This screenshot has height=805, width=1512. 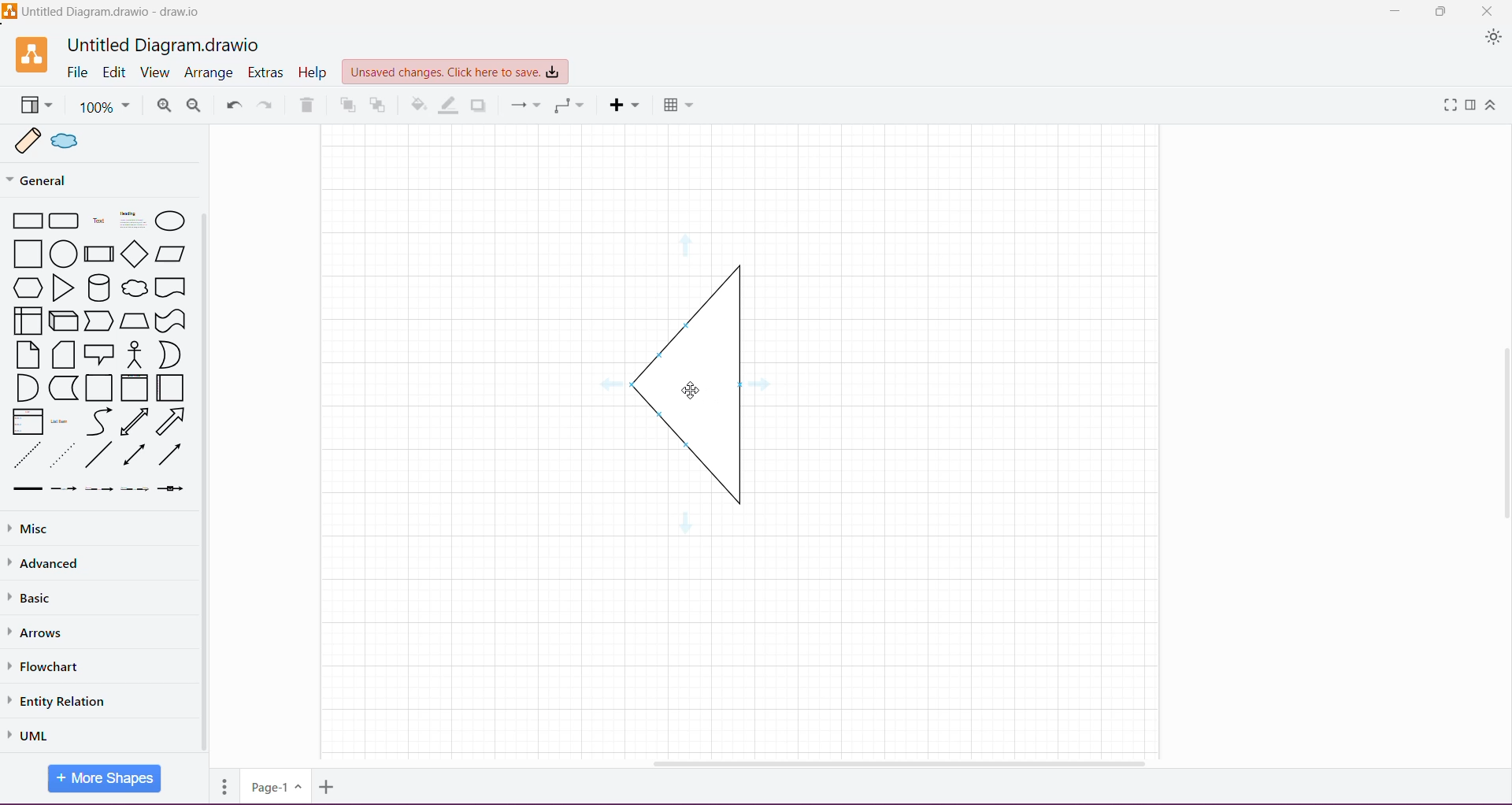 I want to click on Untitled Diagram.draw.io, so click(x=169, y=43).